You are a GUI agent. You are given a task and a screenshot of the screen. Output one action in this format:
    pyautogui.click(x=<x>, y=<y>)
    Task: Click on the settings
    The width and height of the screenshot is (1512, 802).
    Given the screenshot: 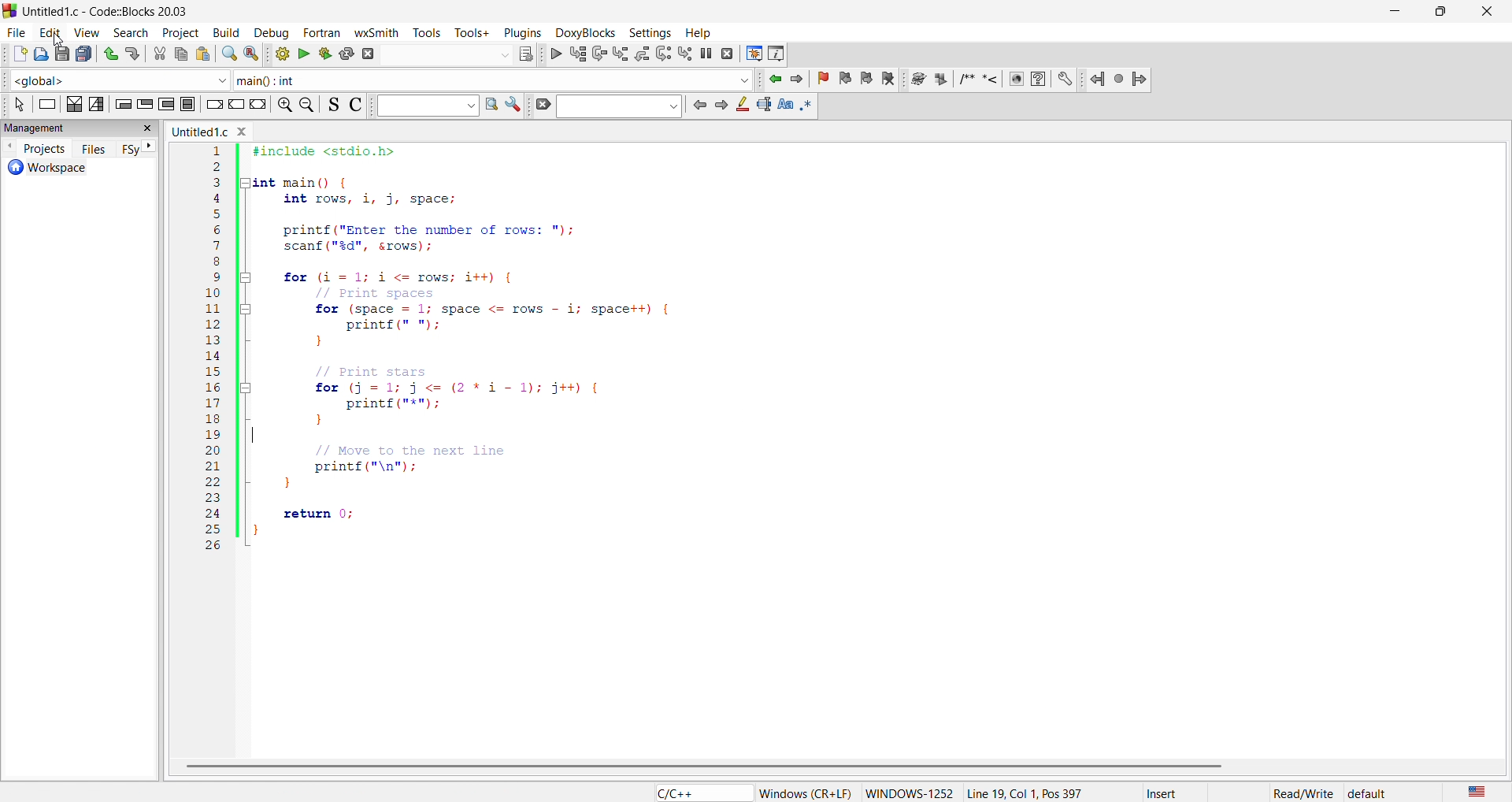 What is the action you would take?
    pyautogui.click(x=1065, y=80)
    